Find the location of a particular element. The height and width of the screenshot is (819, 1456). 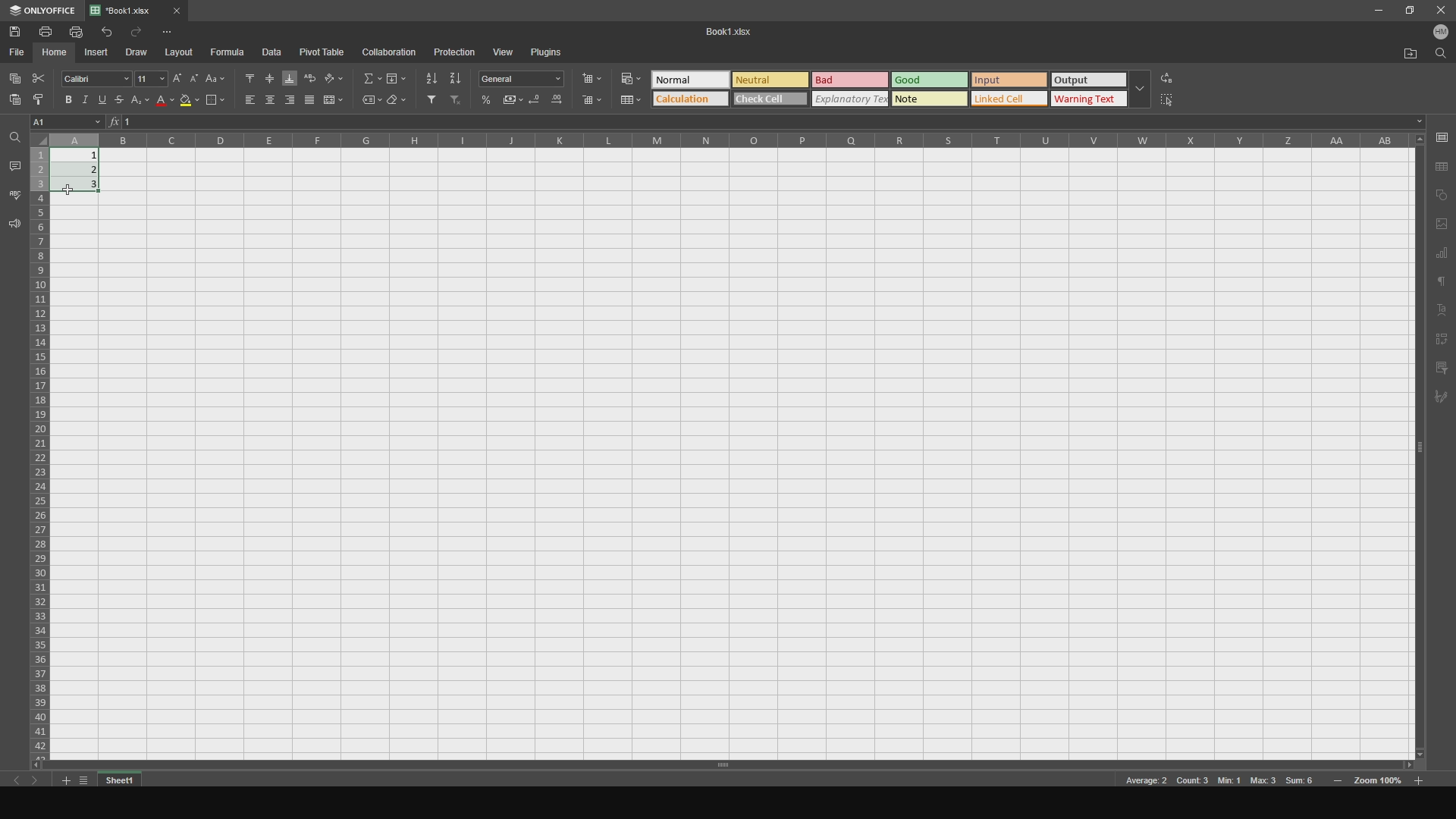

fill is located at coordinates (396, 77).